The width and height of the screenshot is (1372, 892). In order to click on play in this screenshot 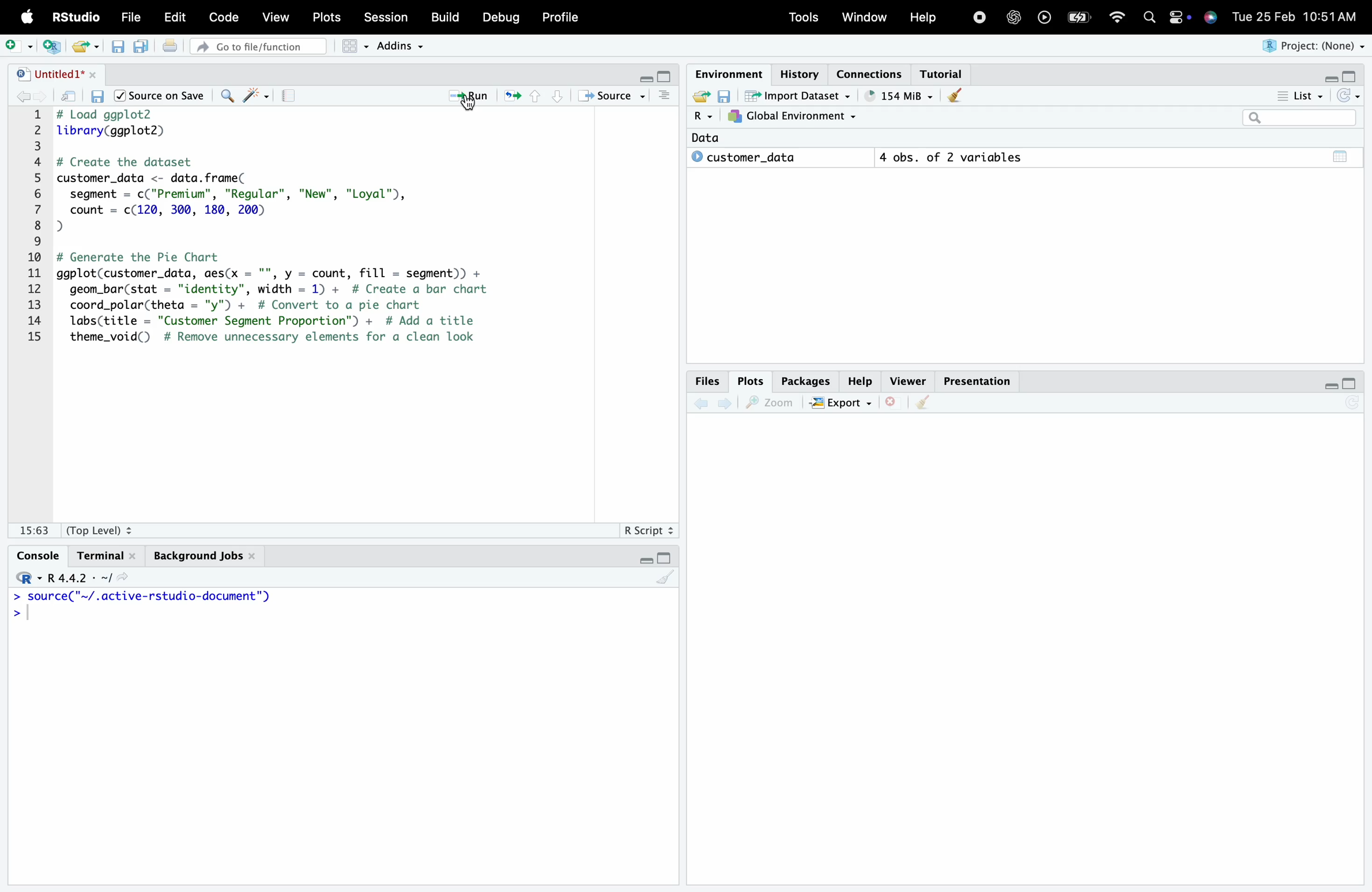, I will do `click(1045, 16)`.